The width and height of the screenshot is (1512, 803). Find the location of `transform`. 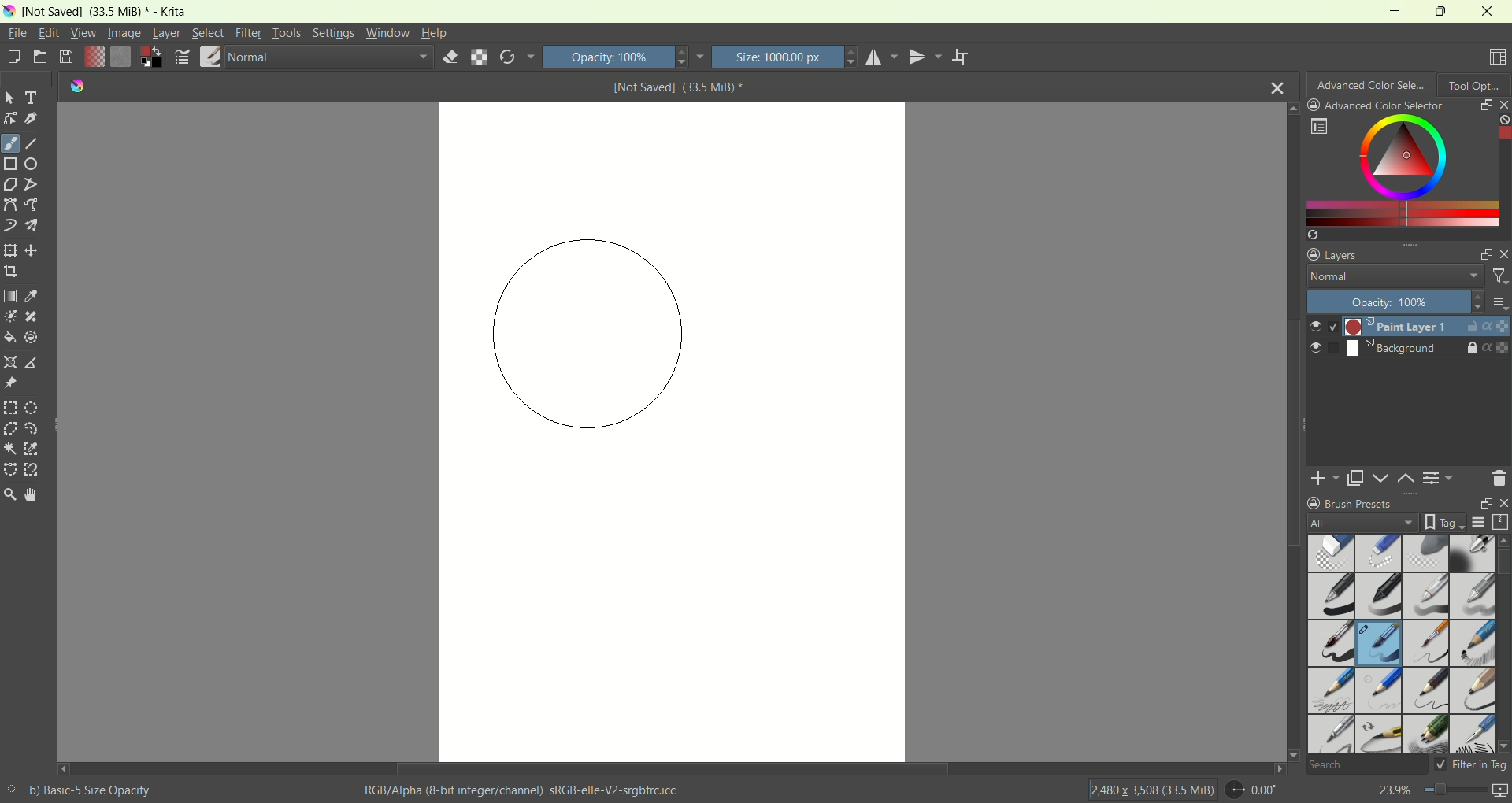

transform is located at coordinates (9, 251).